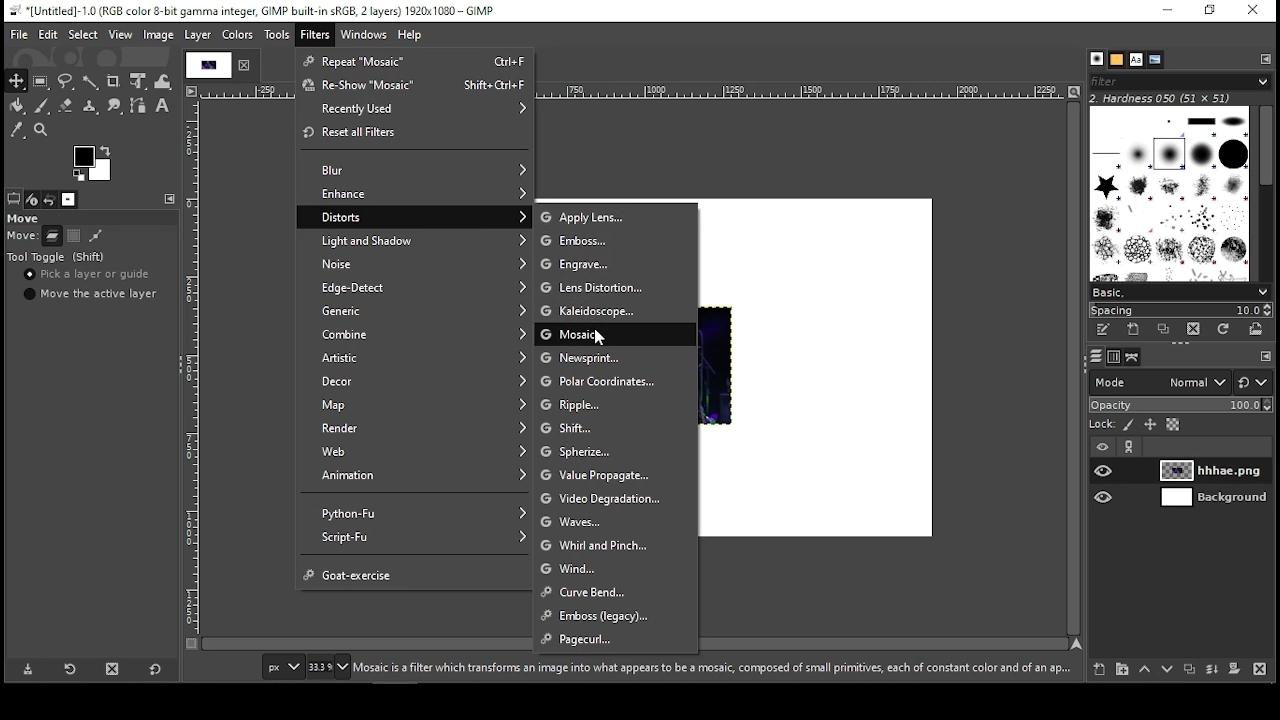 The width and height of the screenshot is (1280, 720). What do you see at coordinates (418, 261) in the screenshot?
I see `noise` at bounding box center [418, 261].